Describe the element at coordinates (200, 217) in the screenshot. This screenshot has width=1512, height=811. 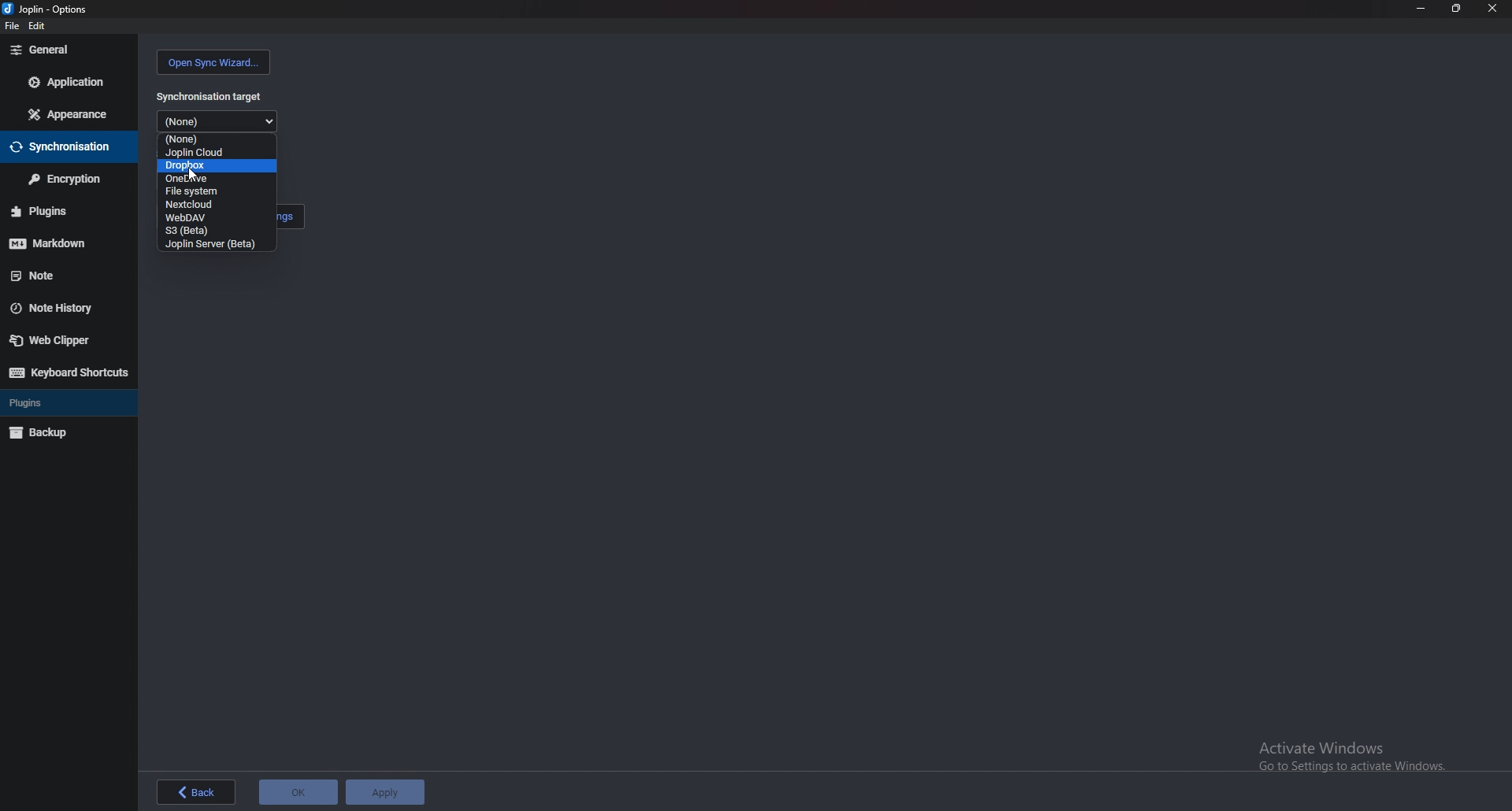
I see `webdav` at that location.